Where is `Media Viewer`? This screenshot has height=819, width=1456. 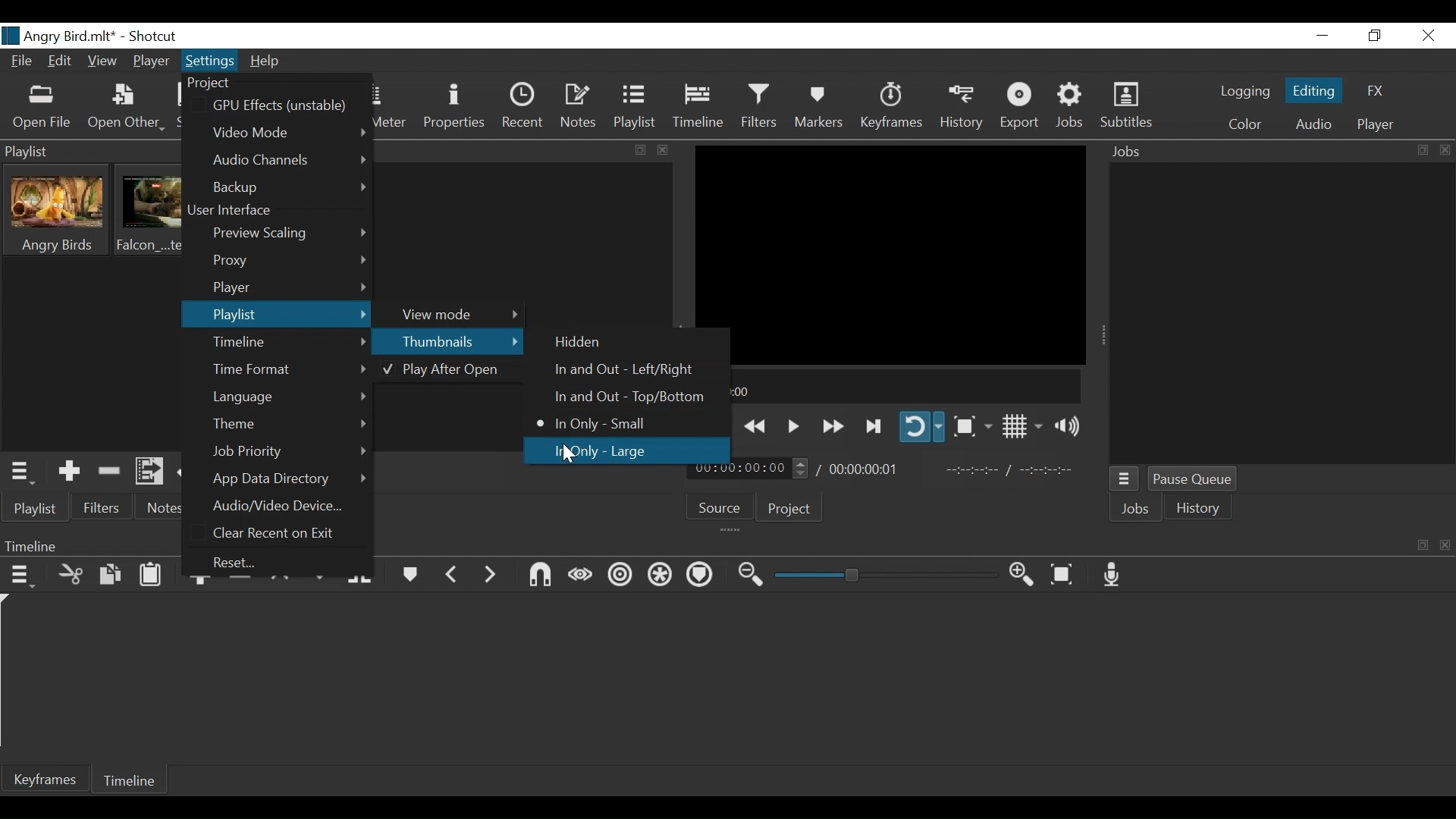 Media Viewer is located at coordinates (891, 254).